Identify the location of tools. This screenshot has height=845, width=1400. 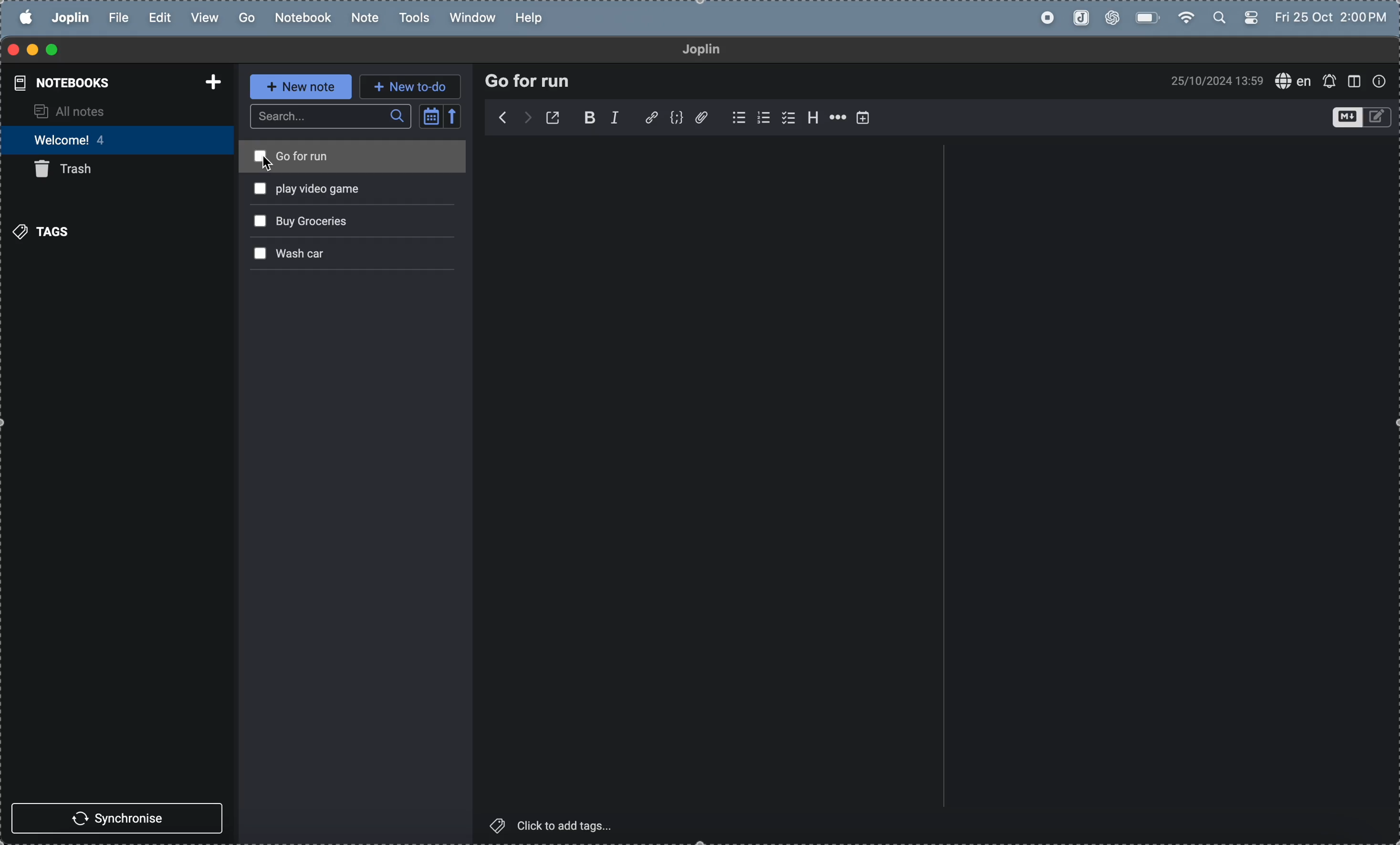
(414, 18).